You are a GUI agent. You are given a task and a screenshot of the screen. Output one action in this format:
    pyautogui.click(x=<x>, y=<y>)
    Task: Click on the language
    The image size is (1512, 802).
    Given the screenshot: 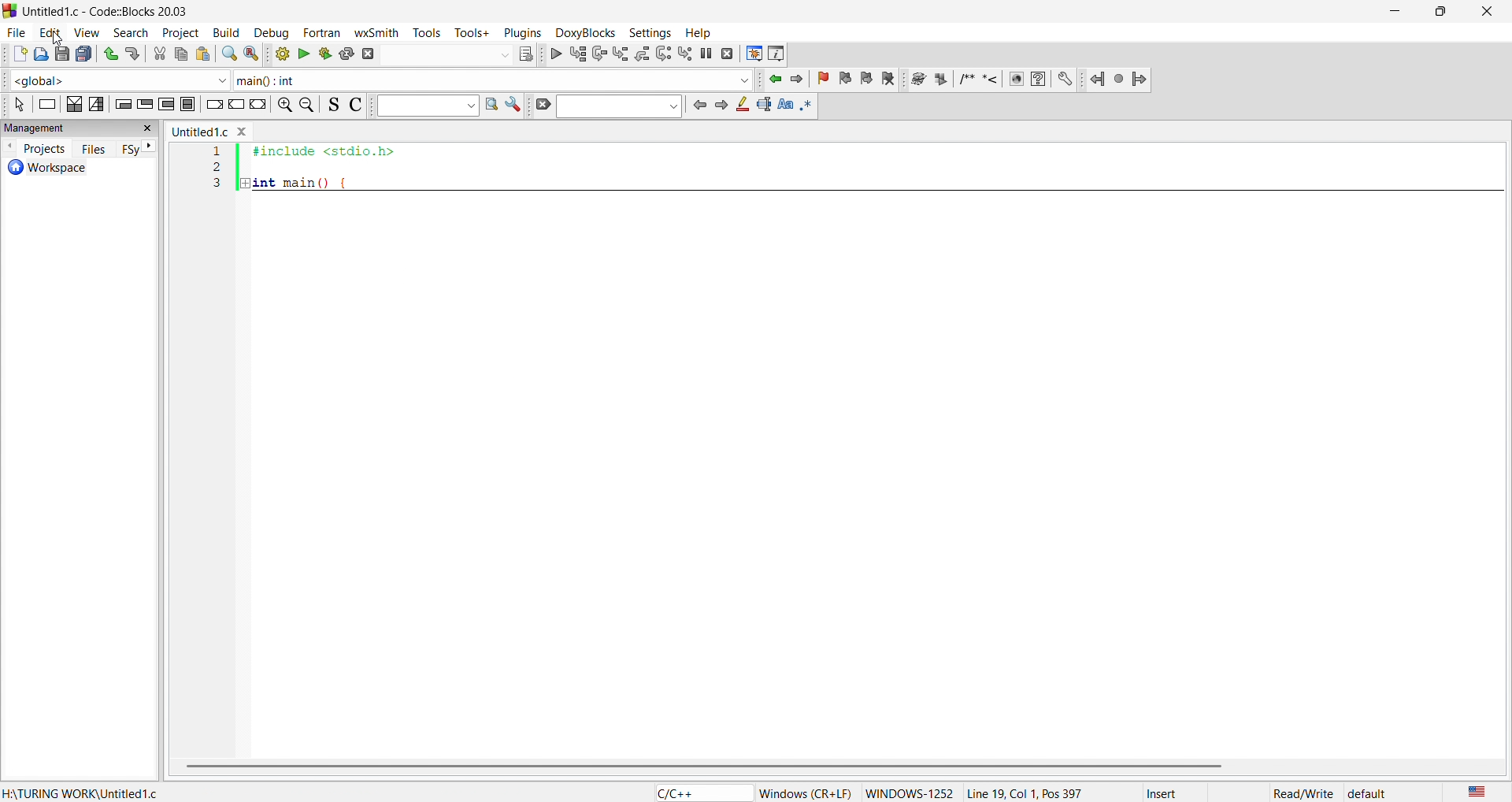 What is the action you would take?
    pyautogui.click(x=699, y=793)
    